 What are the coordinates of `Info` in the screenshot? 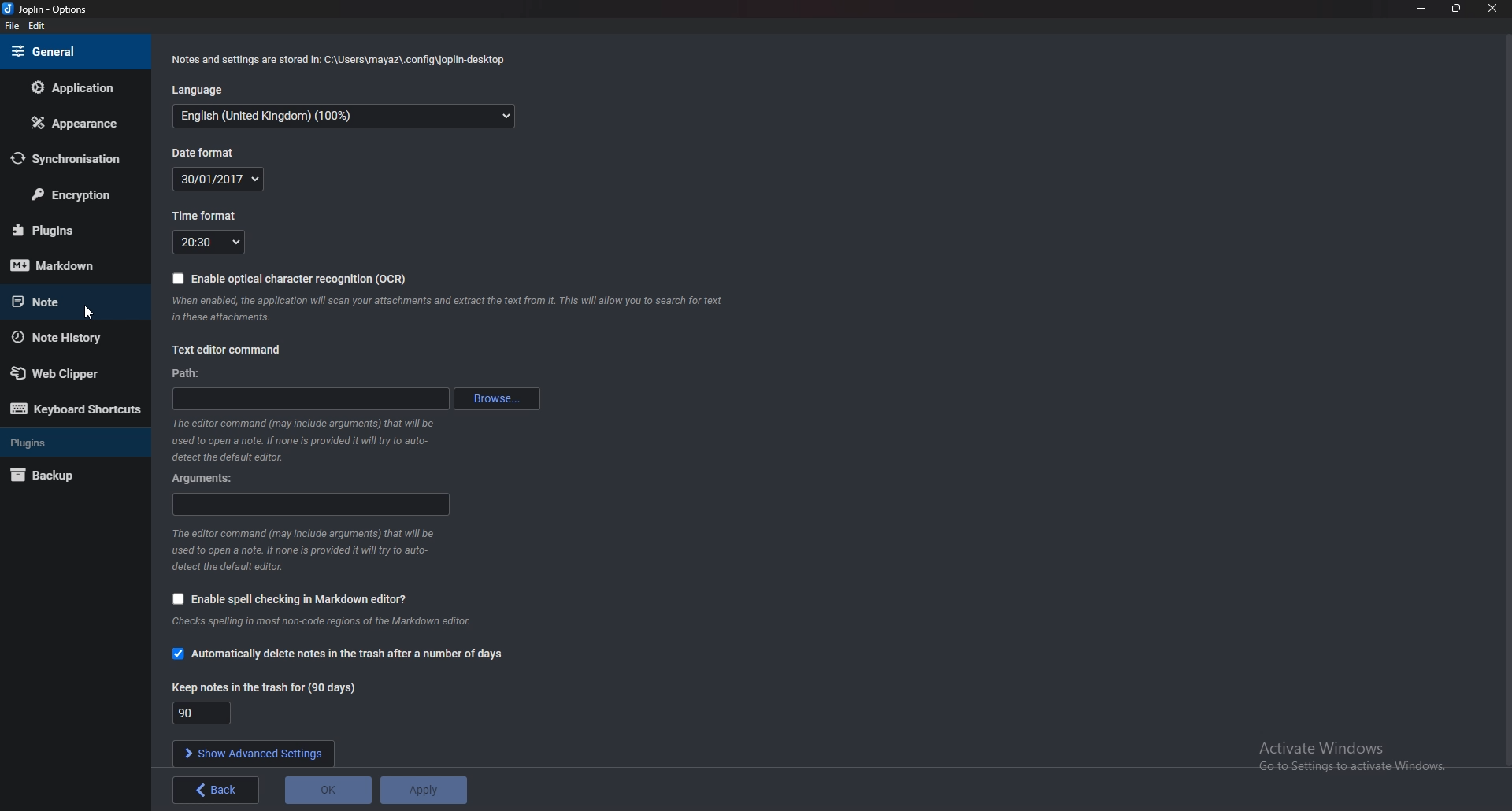 It's located at (337, 62).